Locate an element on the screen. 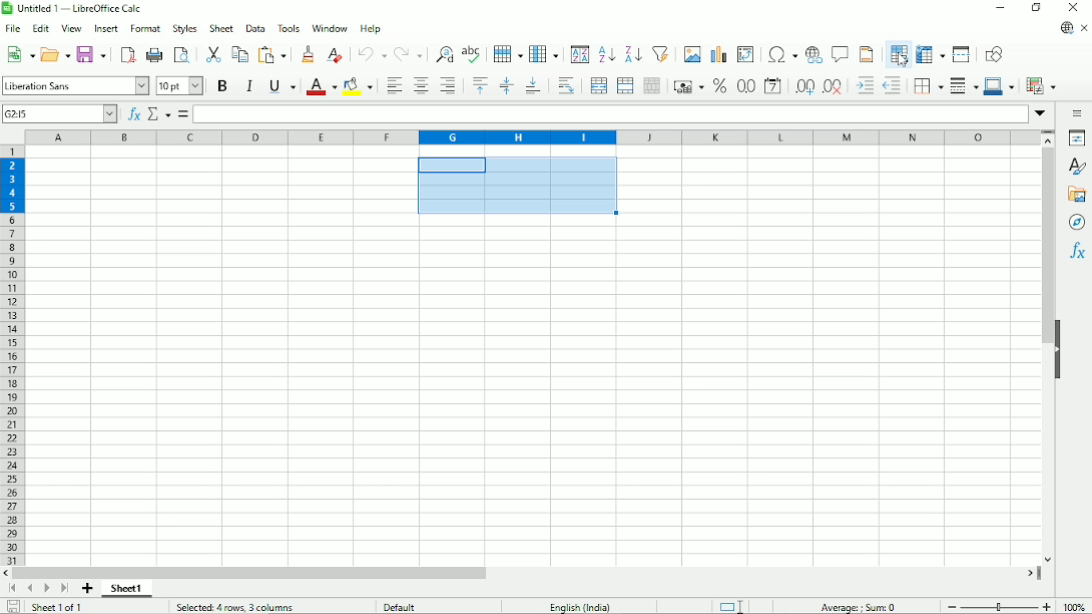 The width and height of the screenshot is (1092, 614). Update available is located at coordinates (1065, 28).